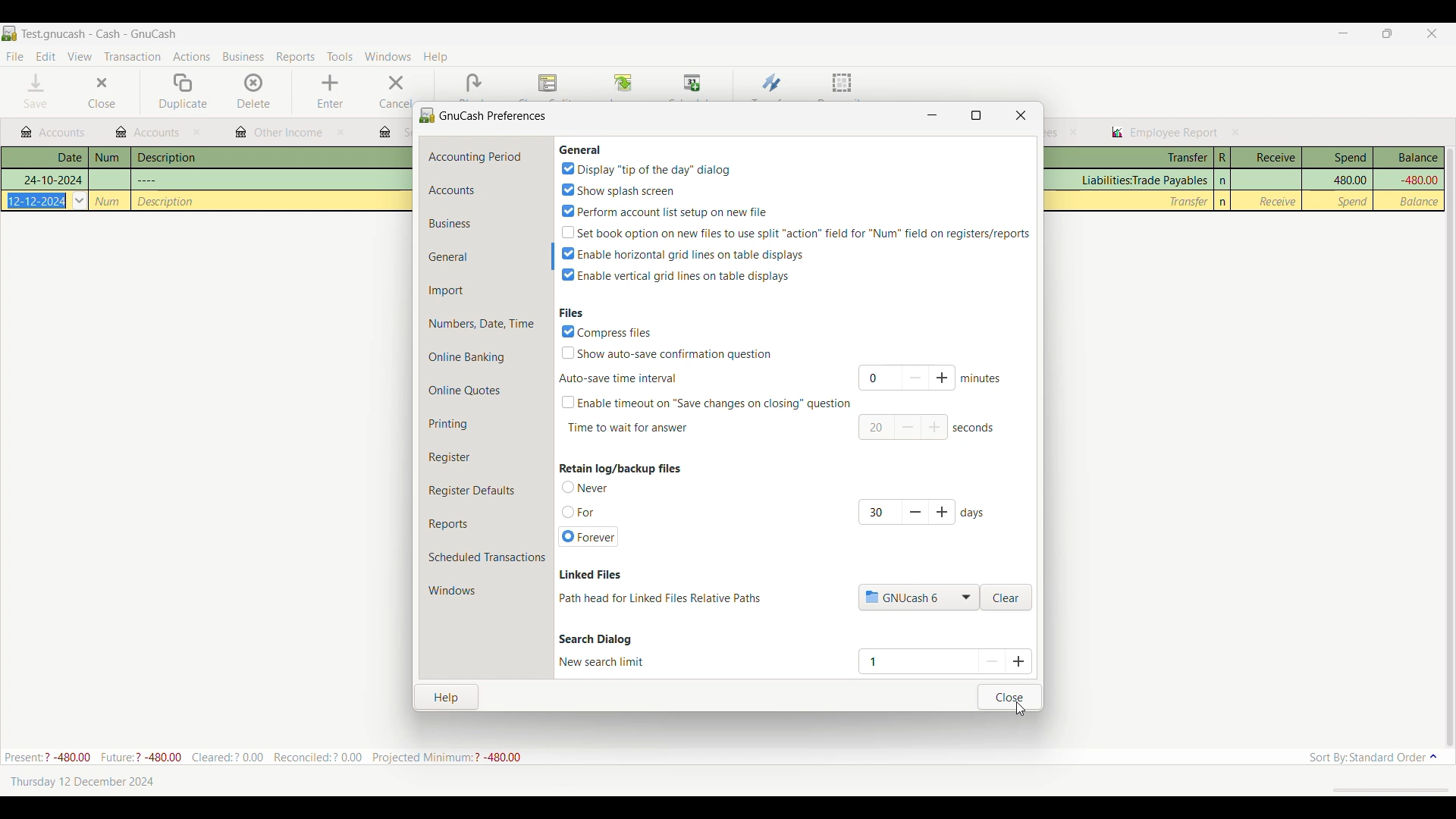 This screenshot has width=1456, height=819. I want to click on Windows menu, so click(388, 56).